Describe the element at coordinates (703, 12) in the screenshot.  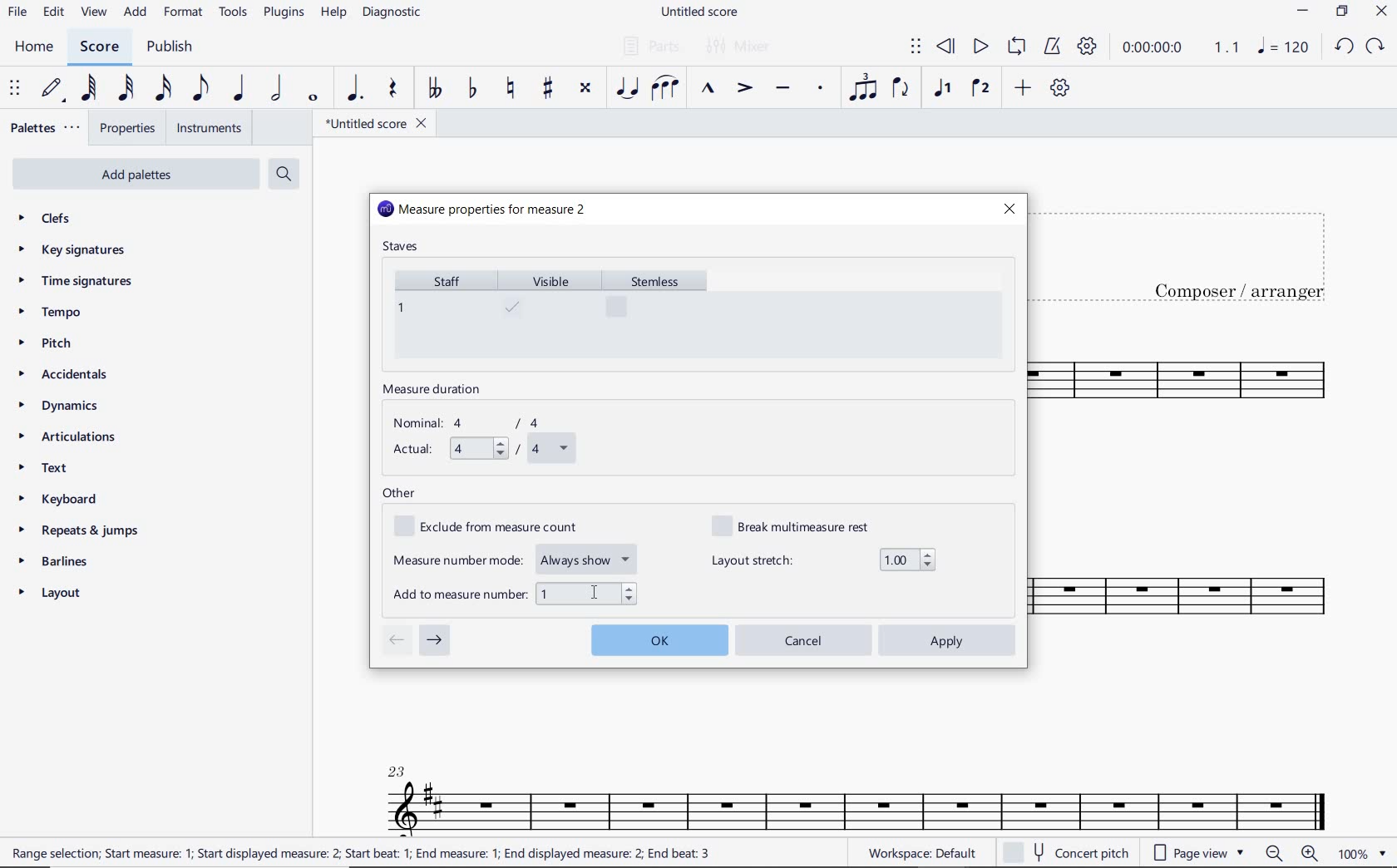
I see `FILE NAME` at that location.